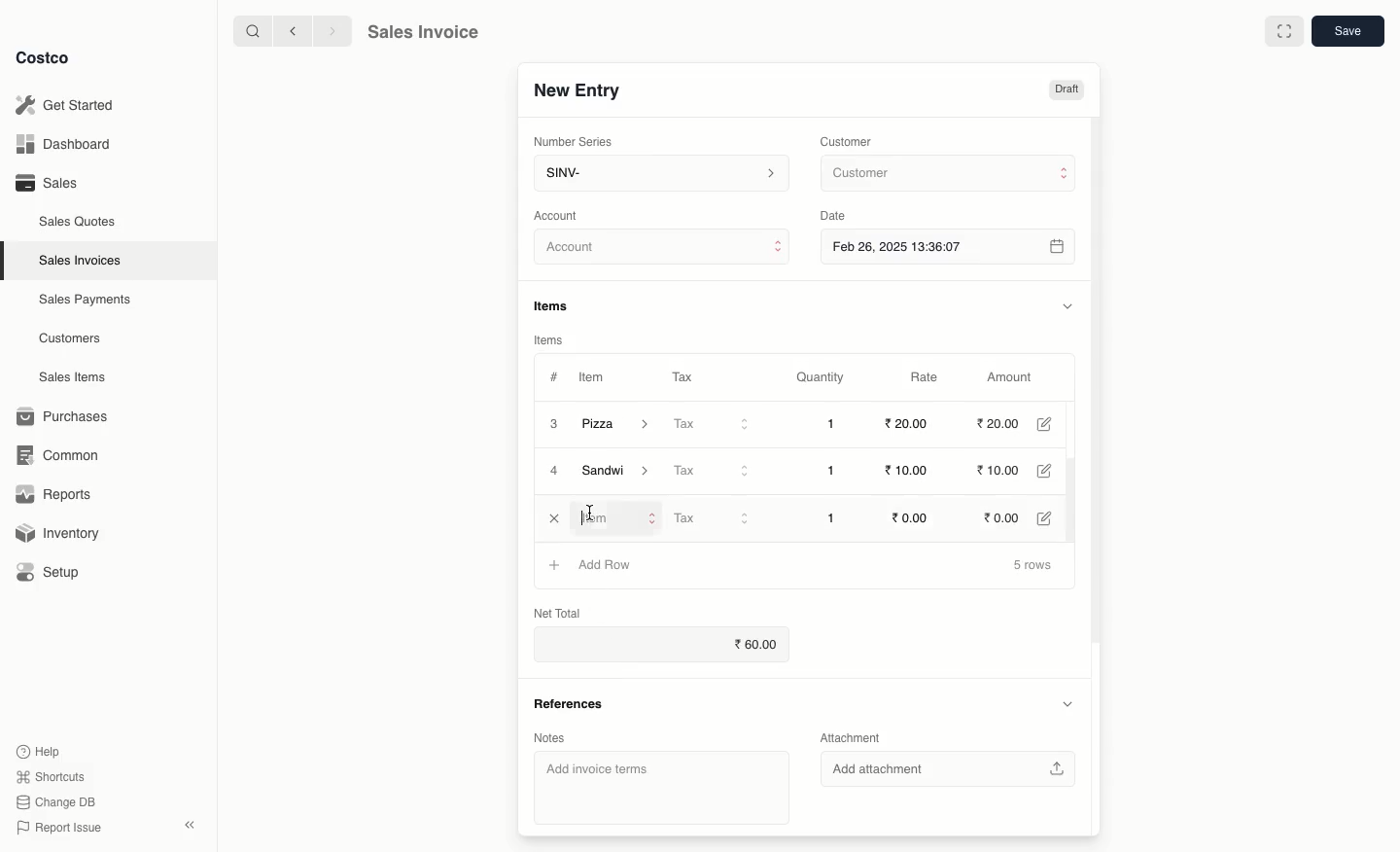 The image size is (1400, 852). Describe the element at coordinates (576, 89) in the screenshot. I see `New Entry` at that location.